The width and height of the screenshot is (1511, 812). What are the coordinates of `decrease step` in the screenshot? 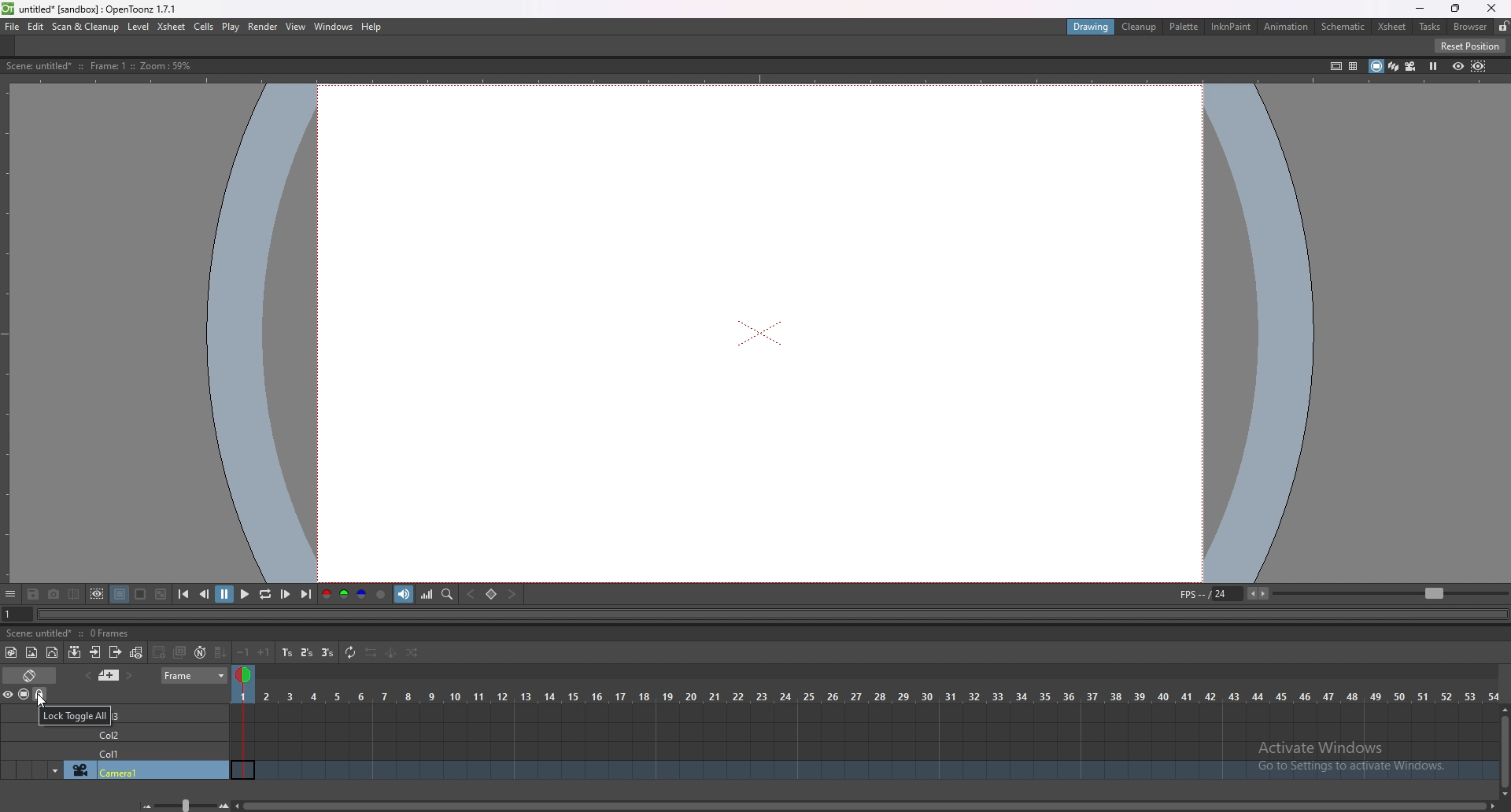 It's located at (244, 652).